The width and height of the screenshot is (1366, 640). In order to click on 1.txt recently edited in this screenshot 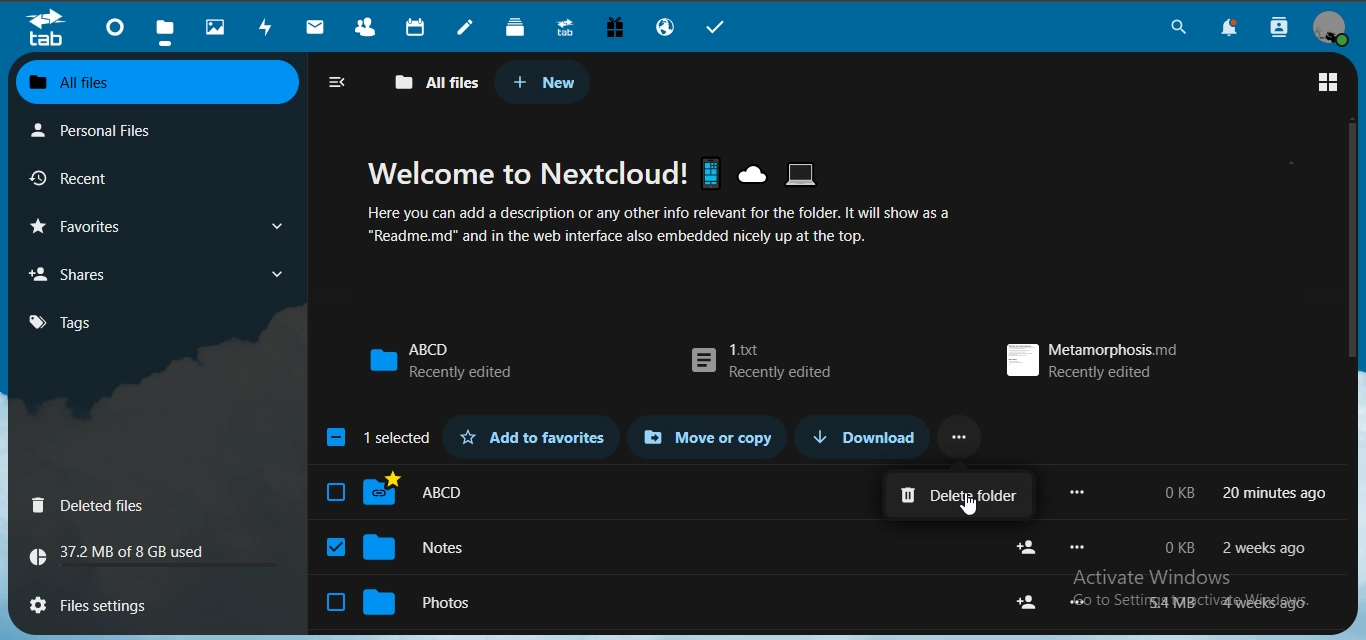, I will do `click(763, 365)`.